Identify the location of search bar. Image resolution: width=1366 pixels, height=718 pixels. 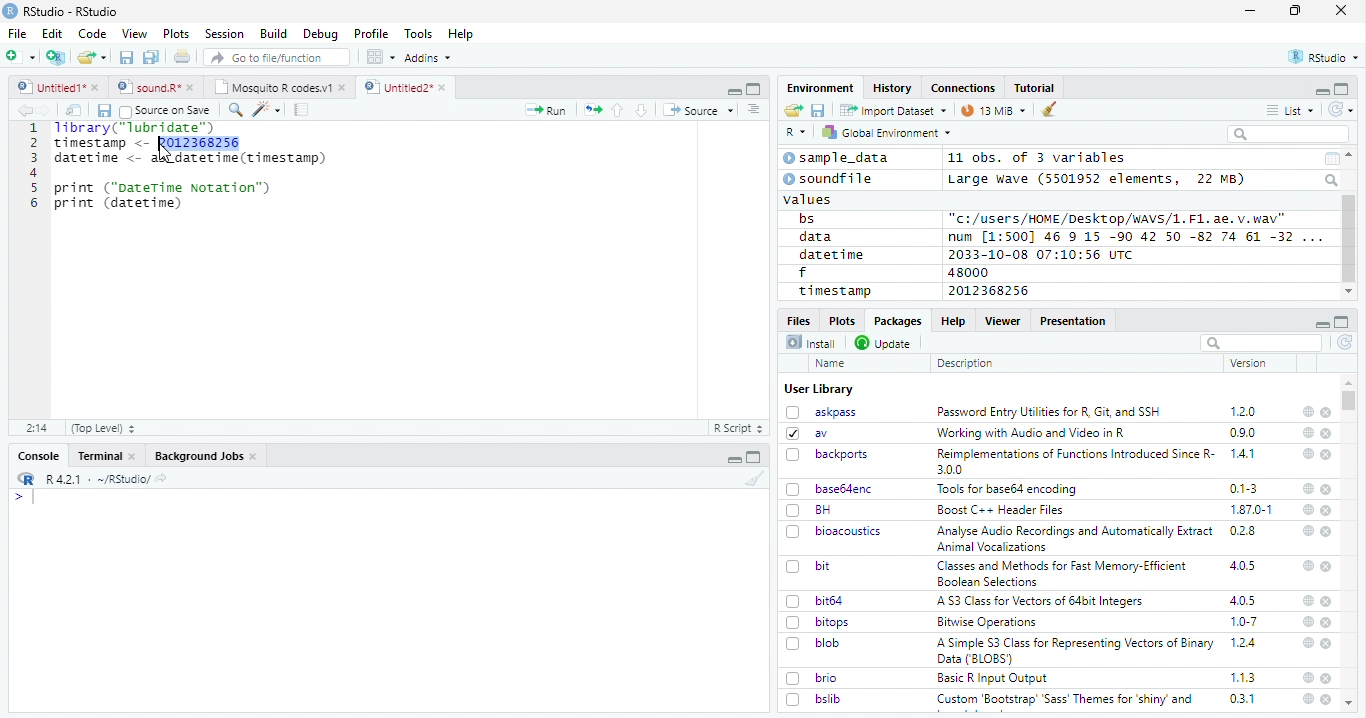
(1259, 342).